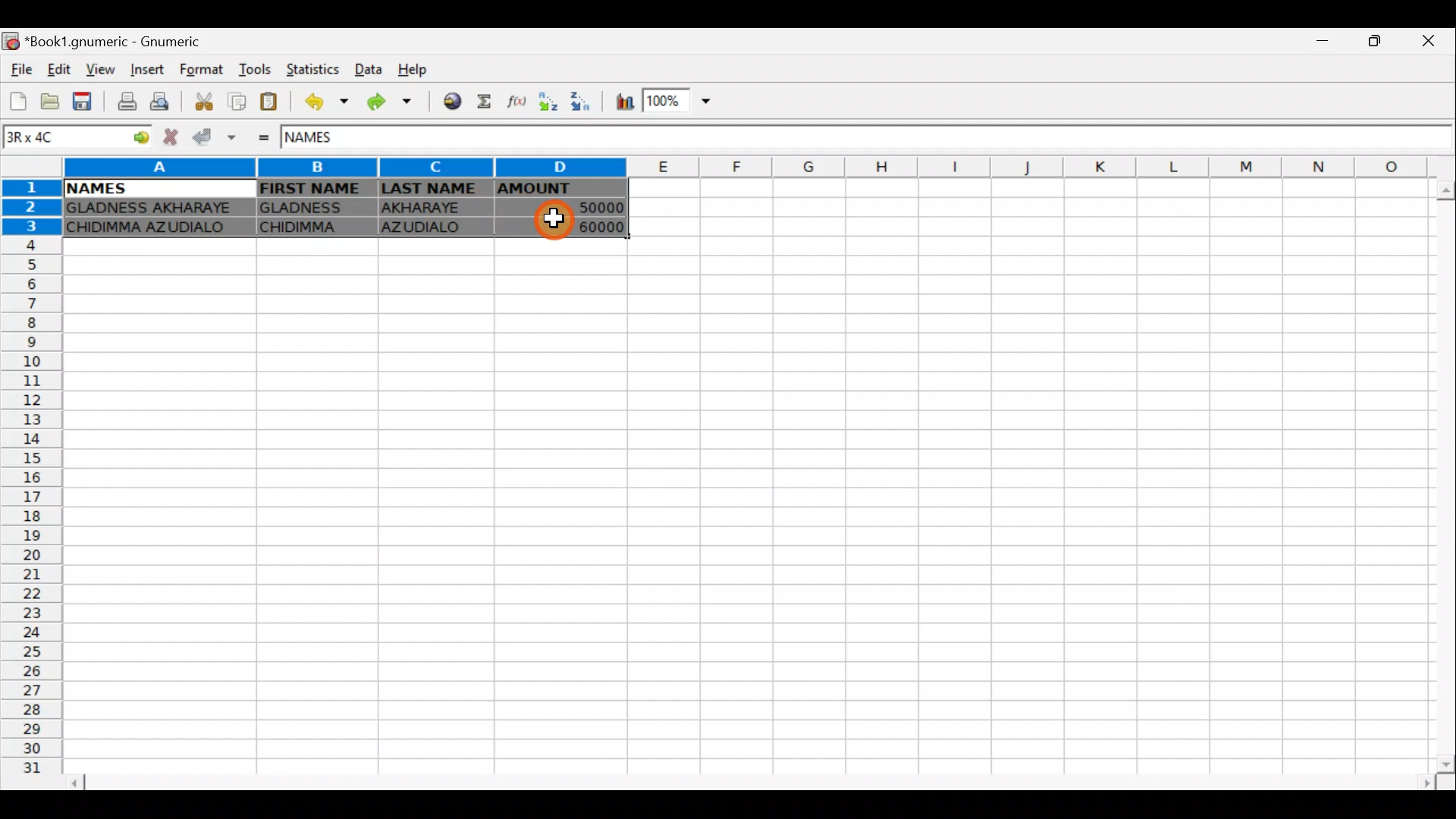  I want to click on Print preview, so click(163, 100).